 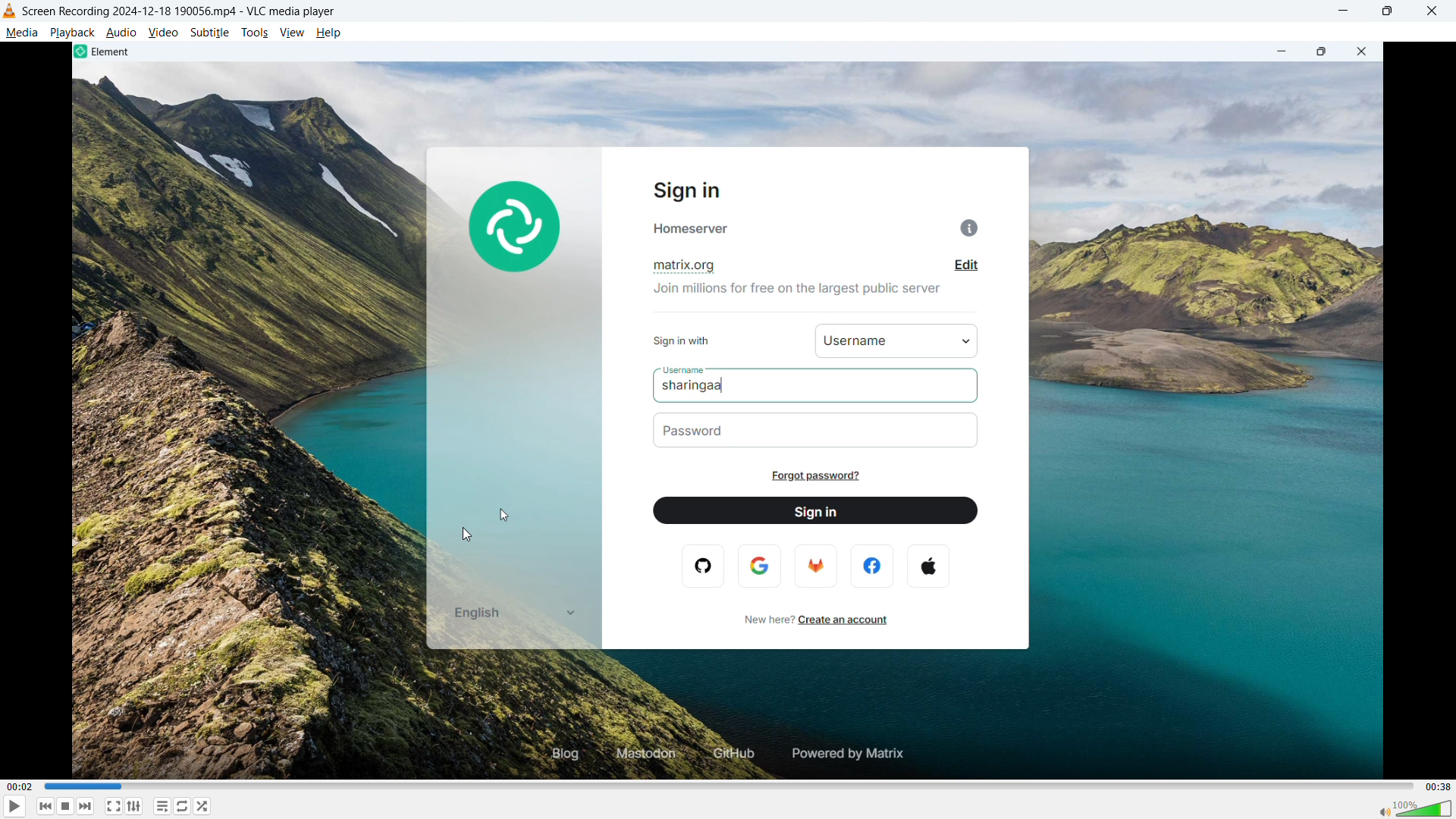 What do you see at coordinates (853, 752) in the screenshot?
I see `Powered by Matrix` at bounding box center [853, 752].